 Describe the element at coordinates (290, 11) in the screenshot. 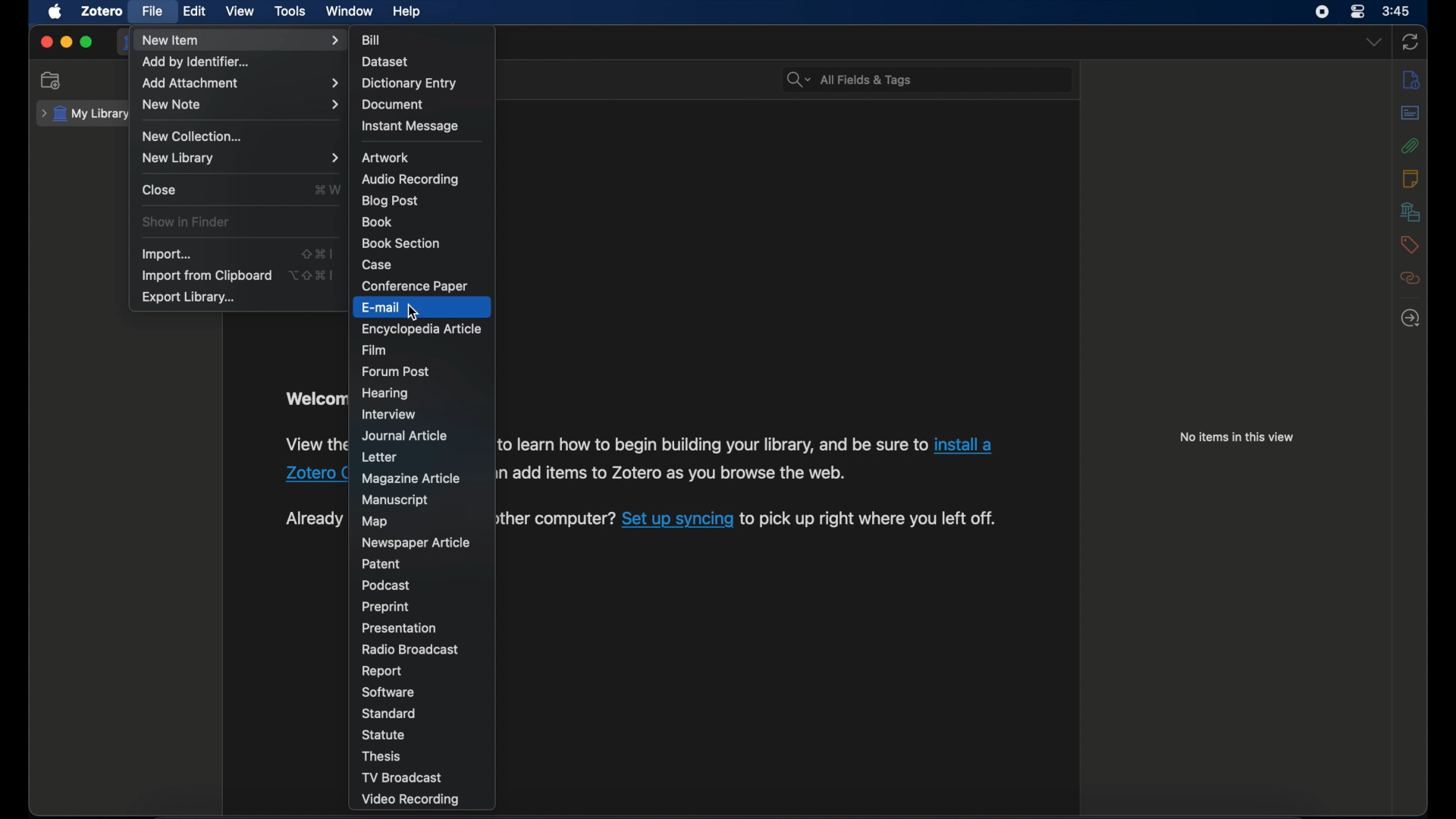

I see `tools` at that location.